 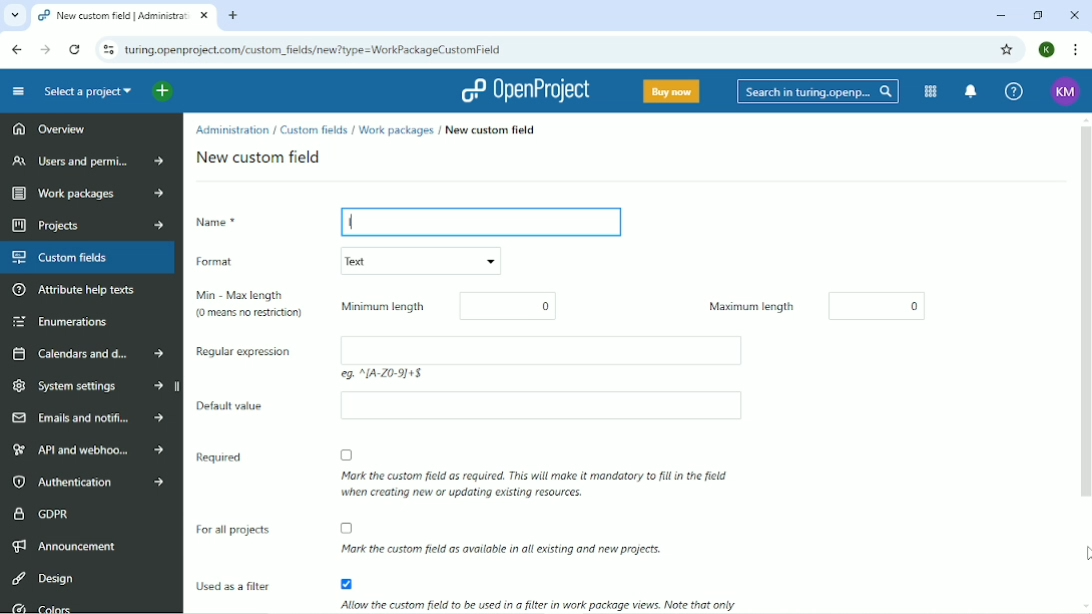 I want to click on Buy now, so click(x=670, y=90).